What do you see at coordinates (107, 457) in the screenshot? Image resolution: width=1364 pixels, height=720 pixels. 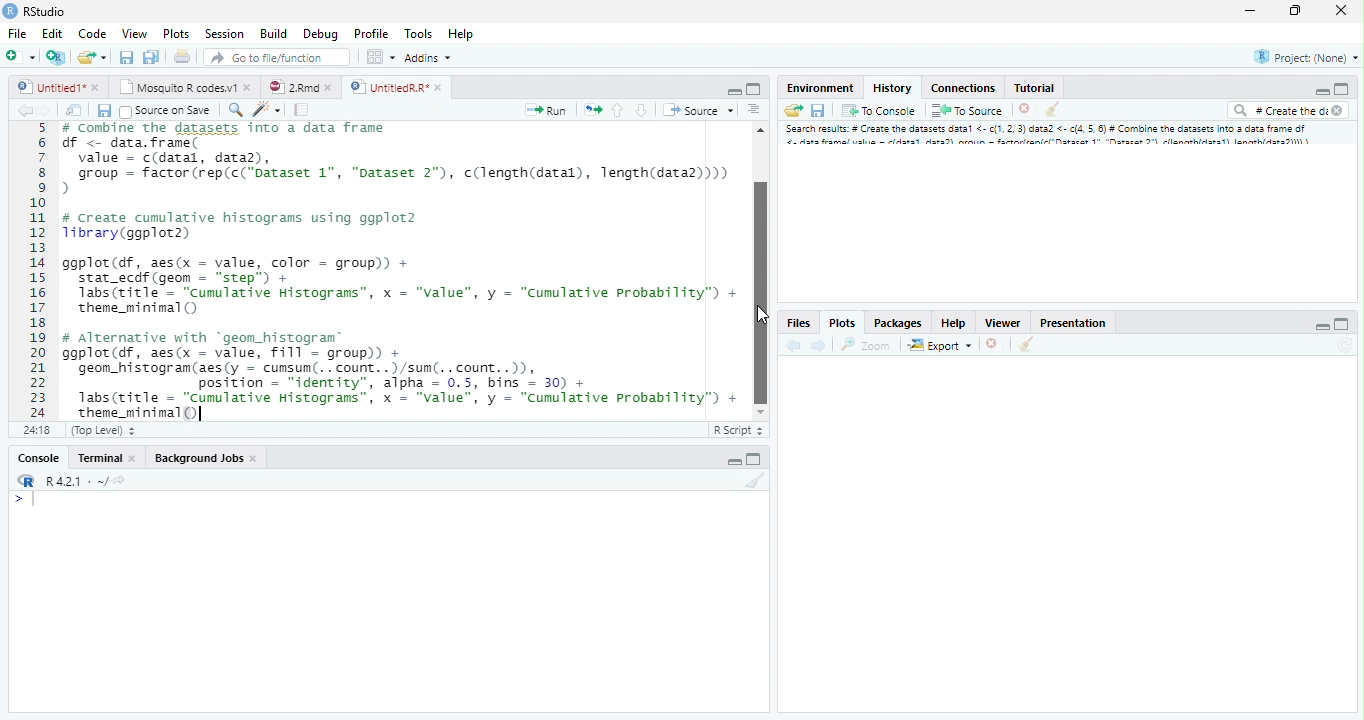 I see `Terminal` at bounding box center [107, 457].